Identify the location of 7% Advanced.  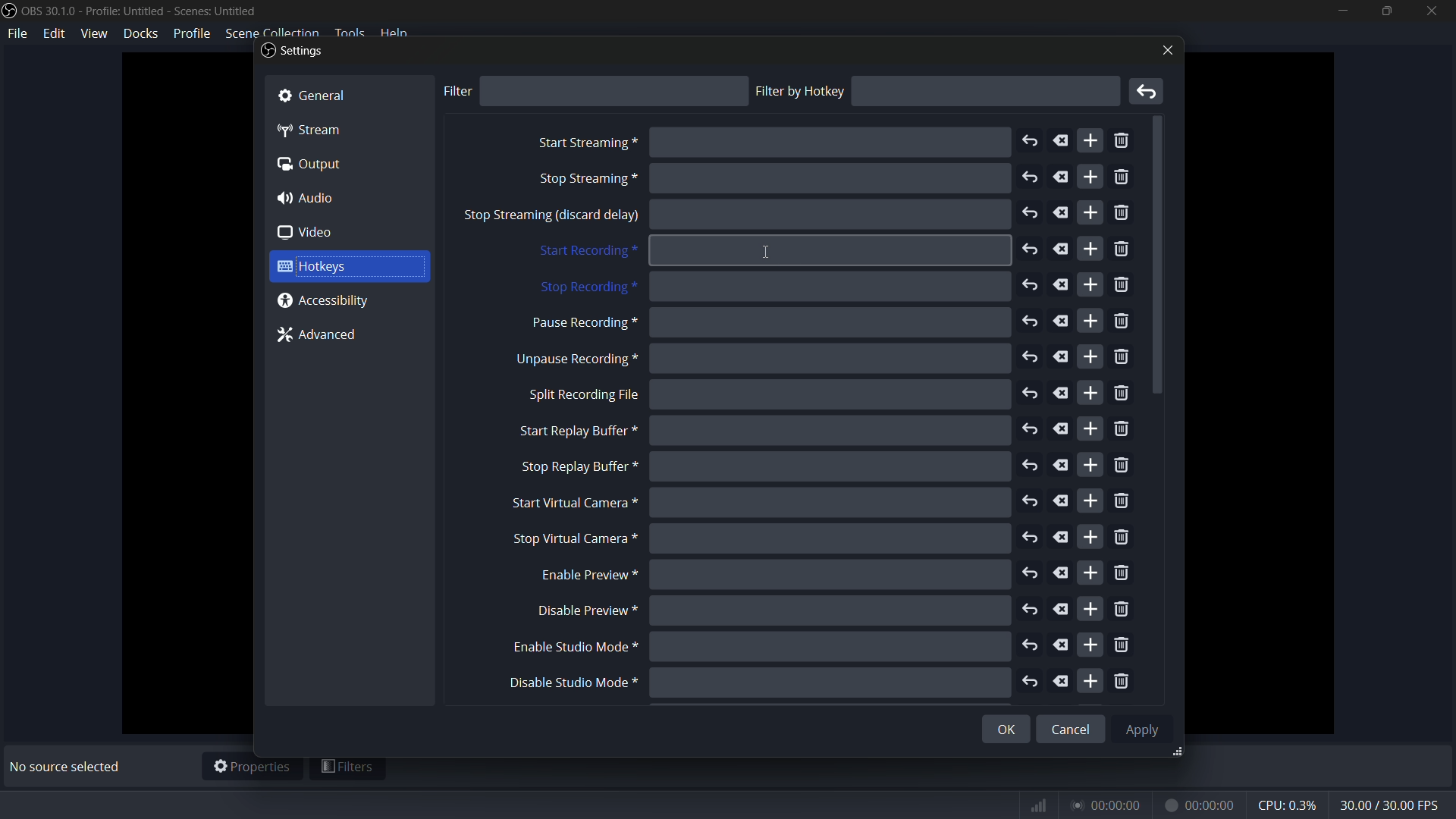
(324, 337).